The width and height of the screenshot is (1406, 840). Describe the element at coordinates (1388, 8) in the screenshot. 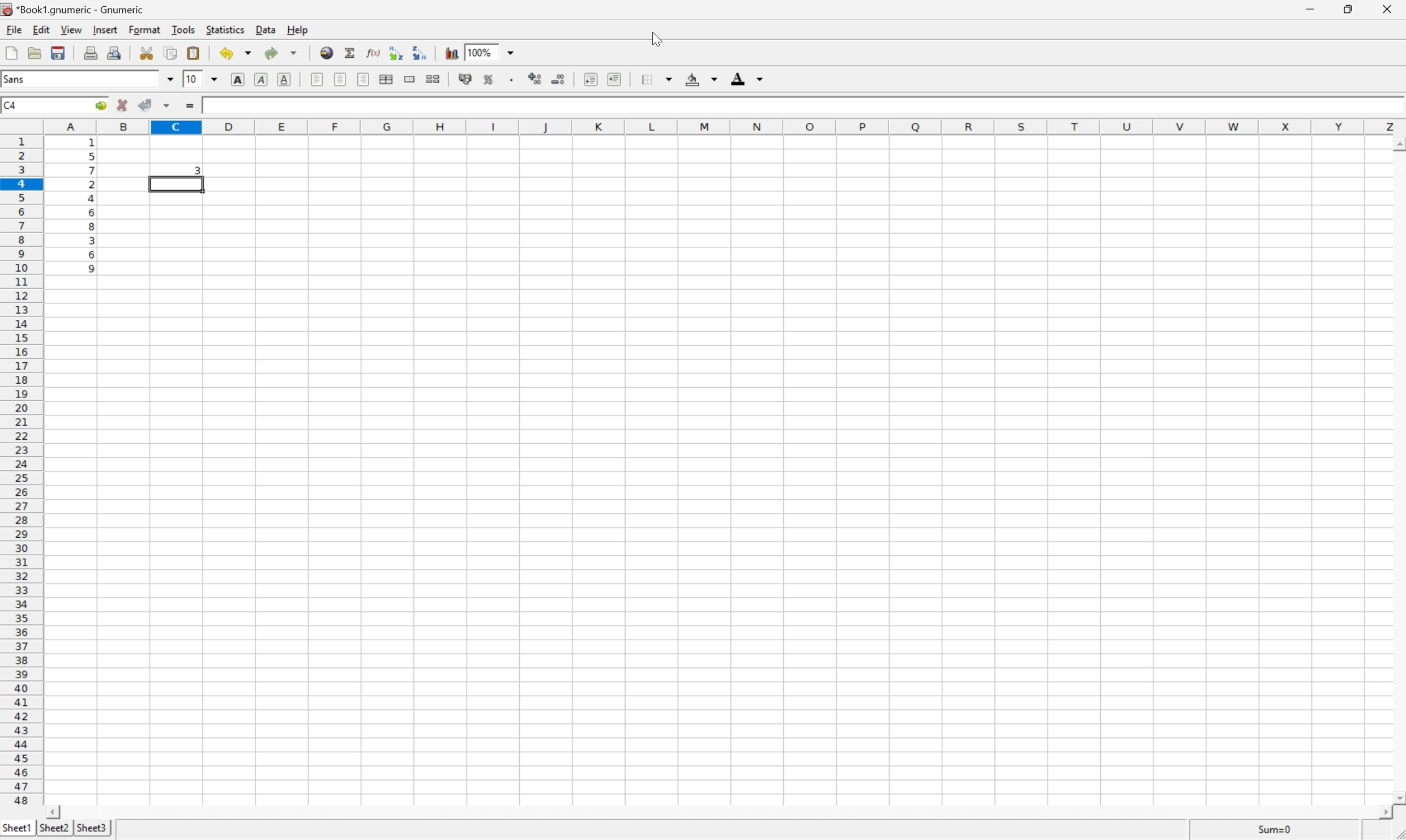

I see `close` at that location.